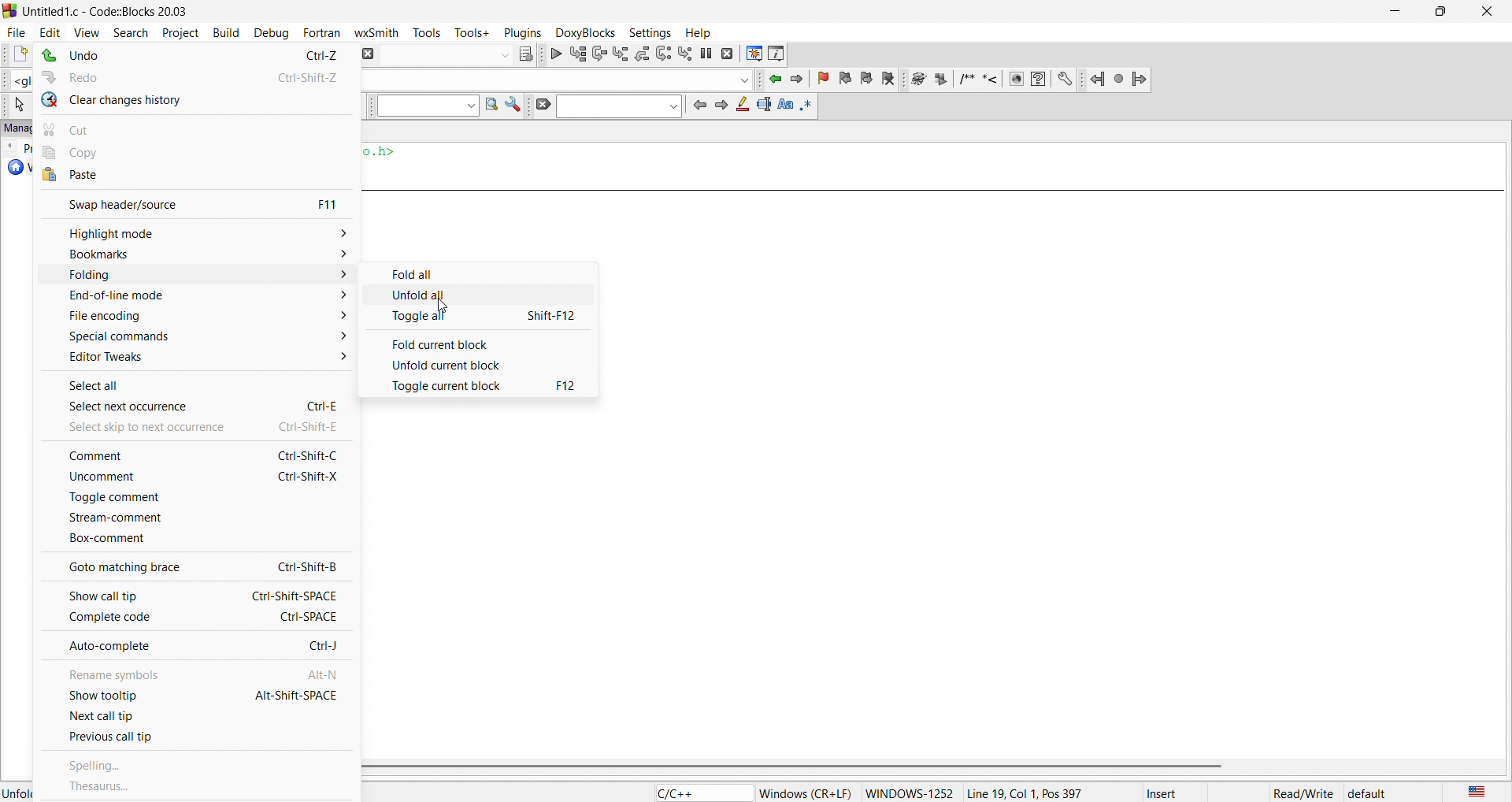 This screenshot has height=802, width=1512. What do you see at coordinates (192, 540) in the screenshot?
I see `box comment` at bounding box center [192, 540].